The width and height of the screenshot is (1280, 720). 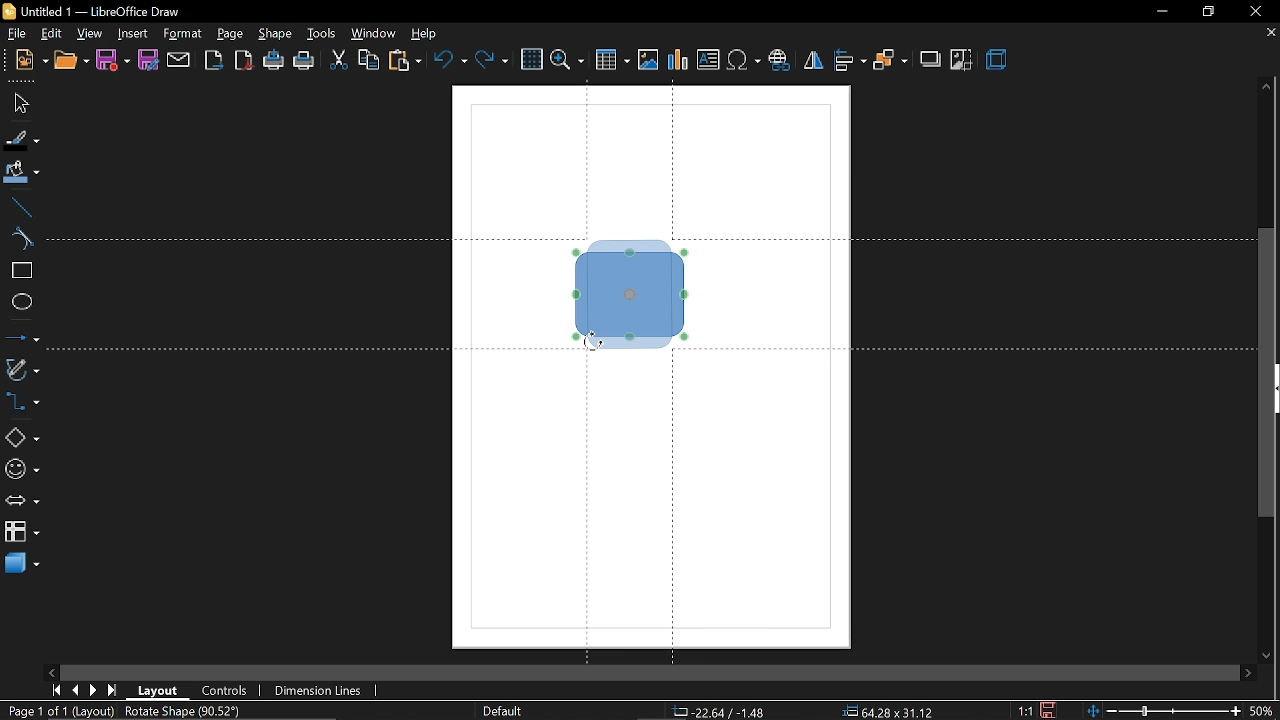 I want to click on paste, so click(x=404, y=62).